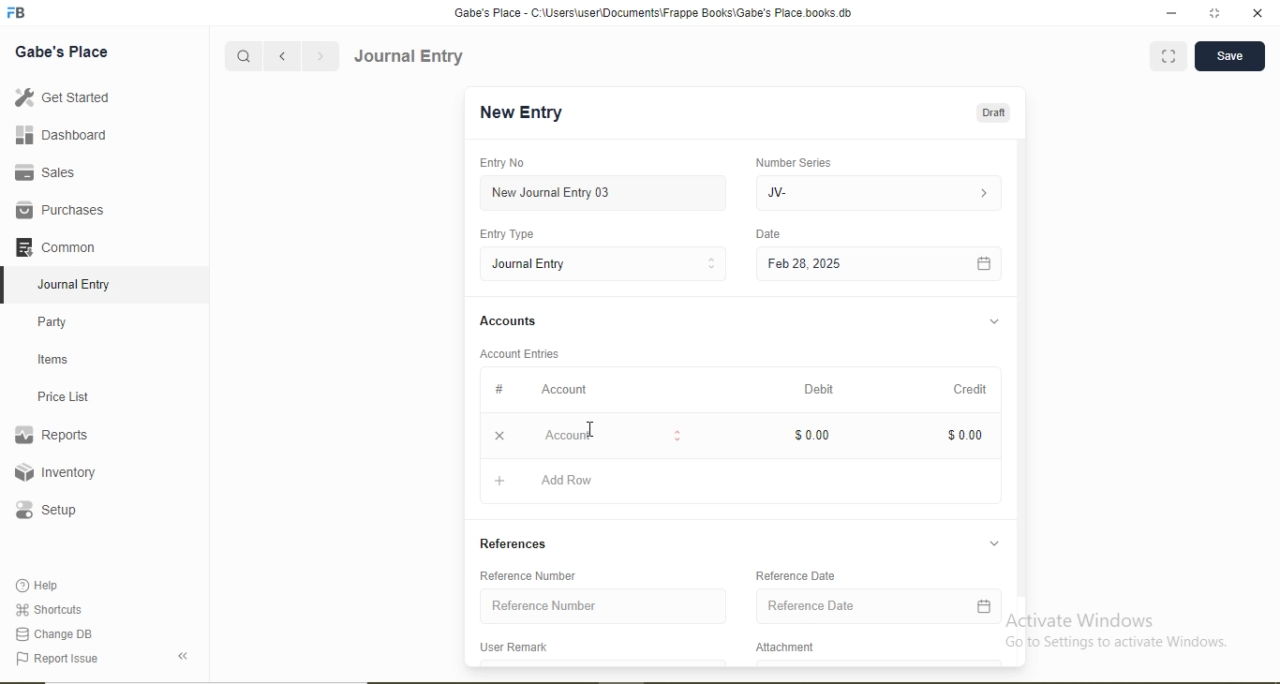  What do you see at coordinates (53, 324) in the screenshot?
I see `Party` at bounding box center [53, 324].